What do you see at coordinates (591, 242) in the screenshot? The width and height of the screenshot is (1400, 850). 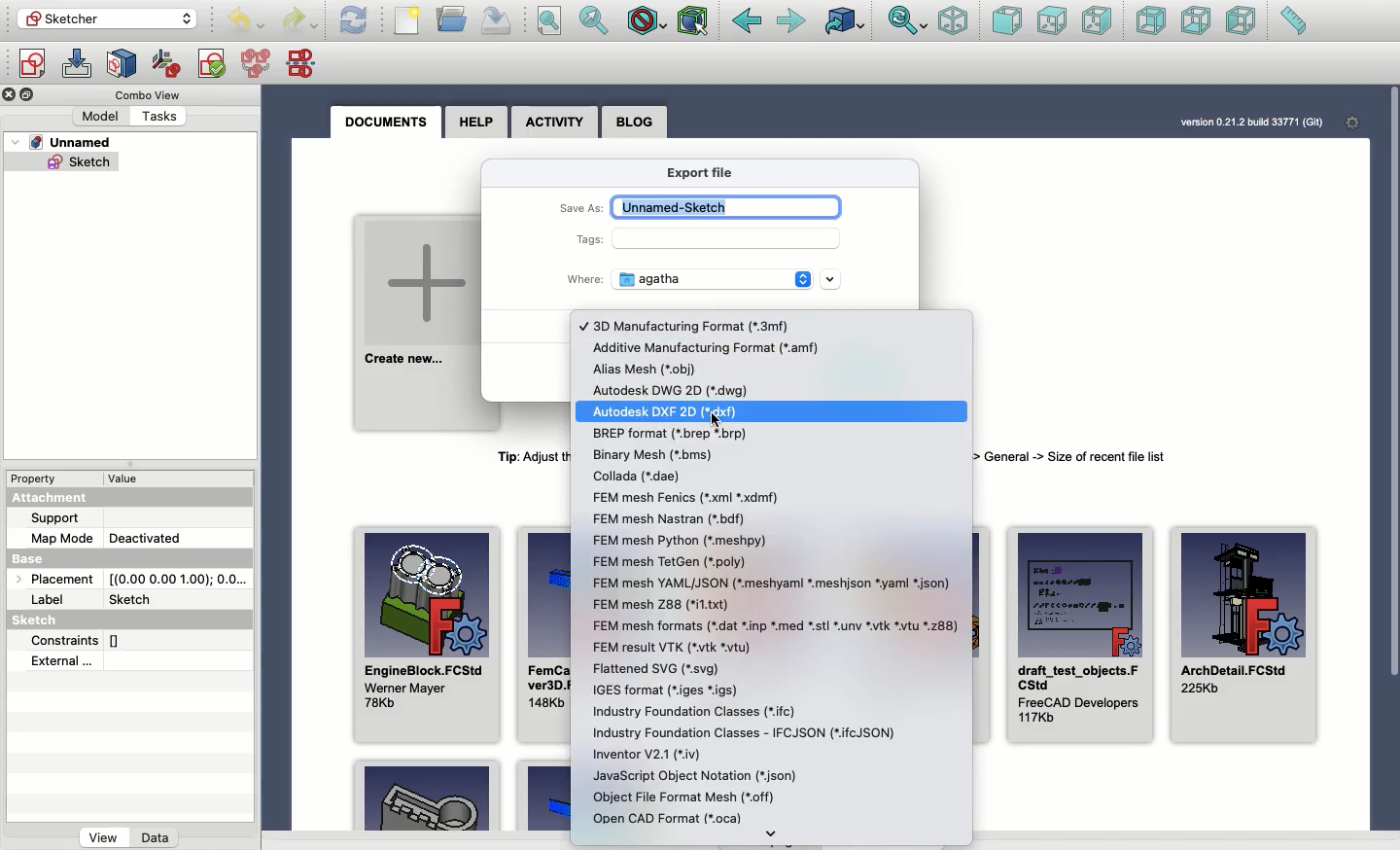 I see `Tags` at bounding box center [591, 242].